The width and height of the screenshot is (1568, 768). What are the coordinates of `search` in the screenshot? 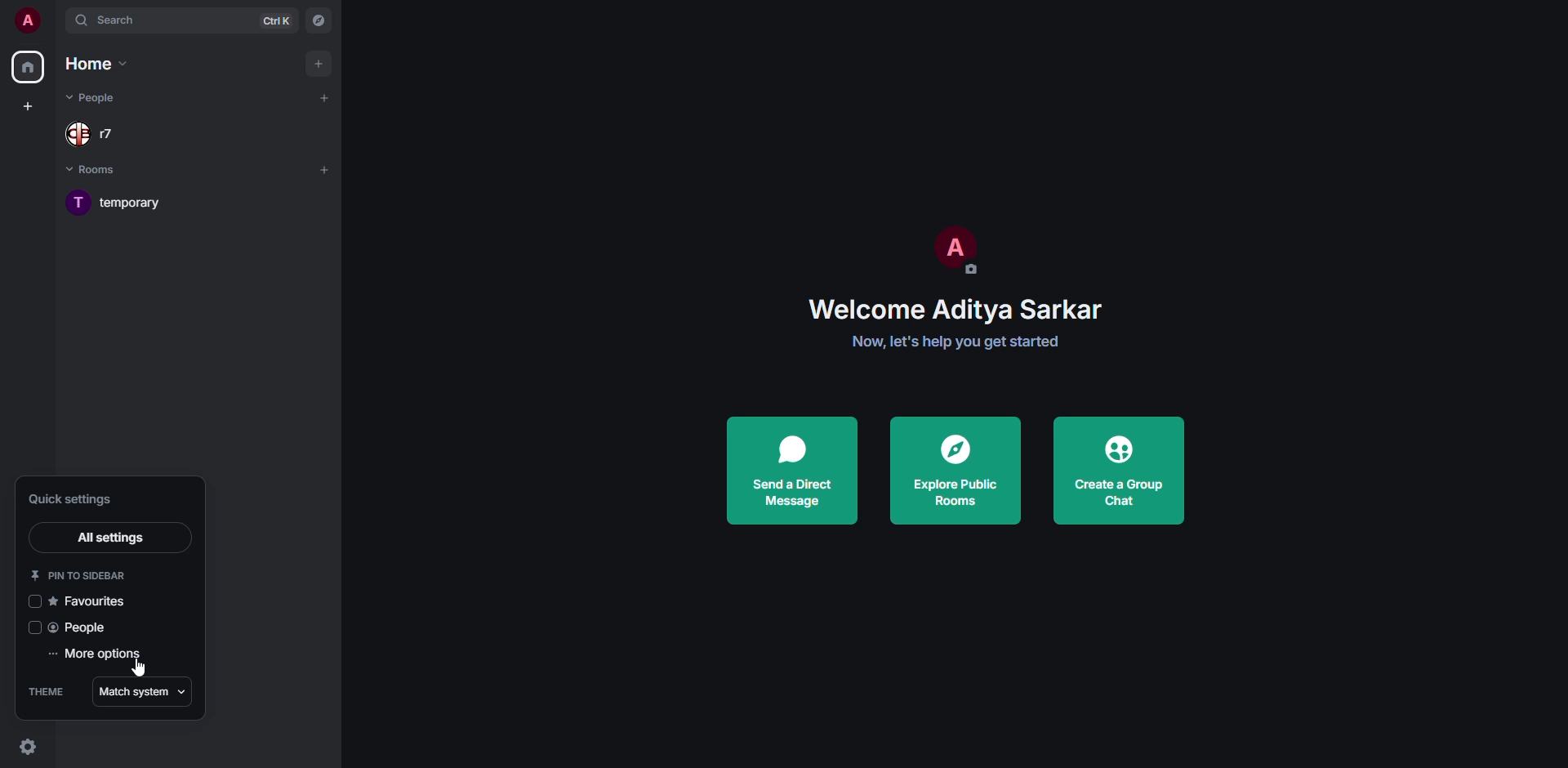 It's located at (122, 19).